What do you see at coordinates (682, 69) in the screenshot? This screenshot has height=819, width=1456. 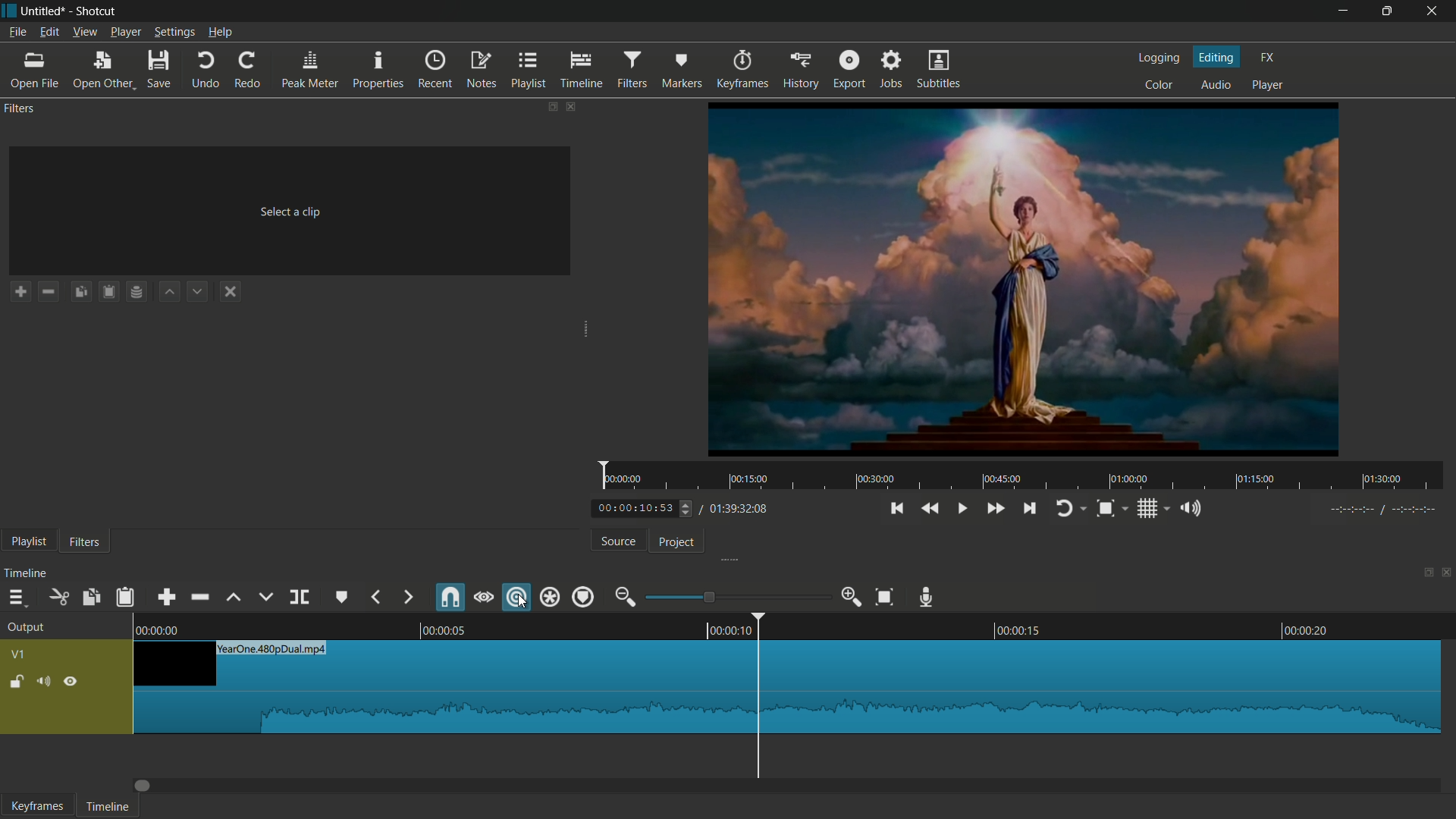 I see `markers` at bounding box center [682, 69].